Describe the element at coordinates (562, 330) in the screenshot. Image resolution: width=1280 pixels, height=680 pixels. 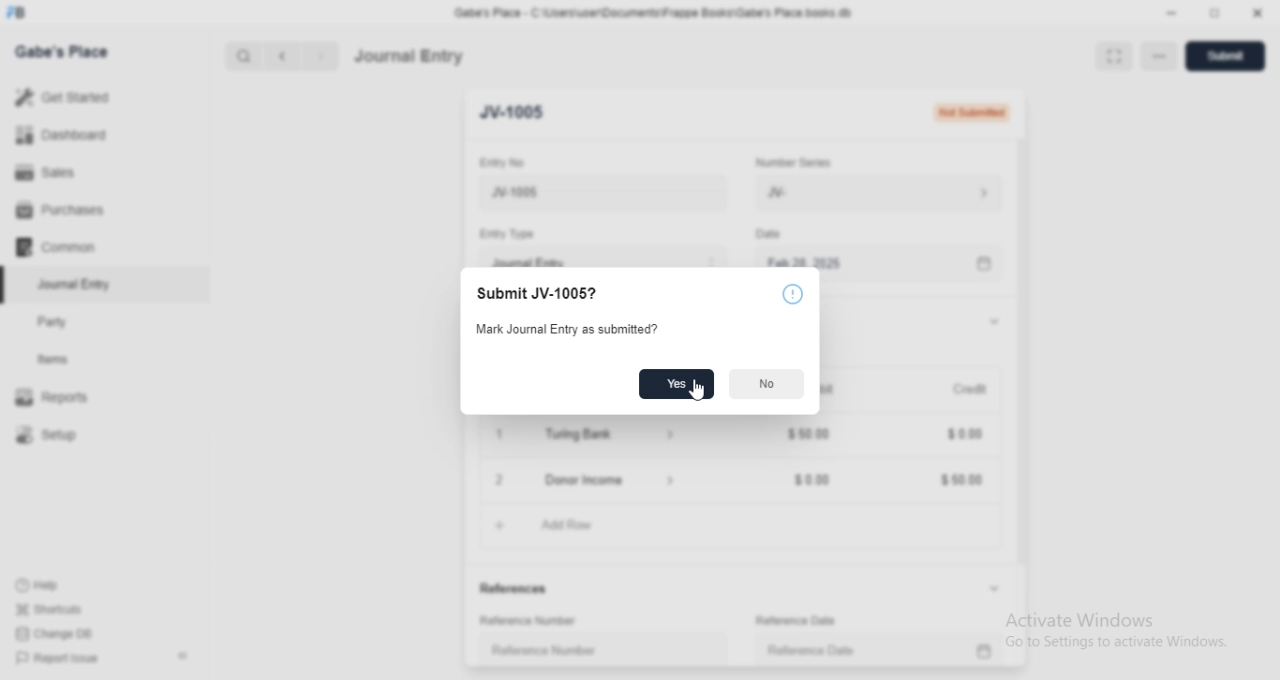
I see `Mark Journal Entry as submitted?` at that location.